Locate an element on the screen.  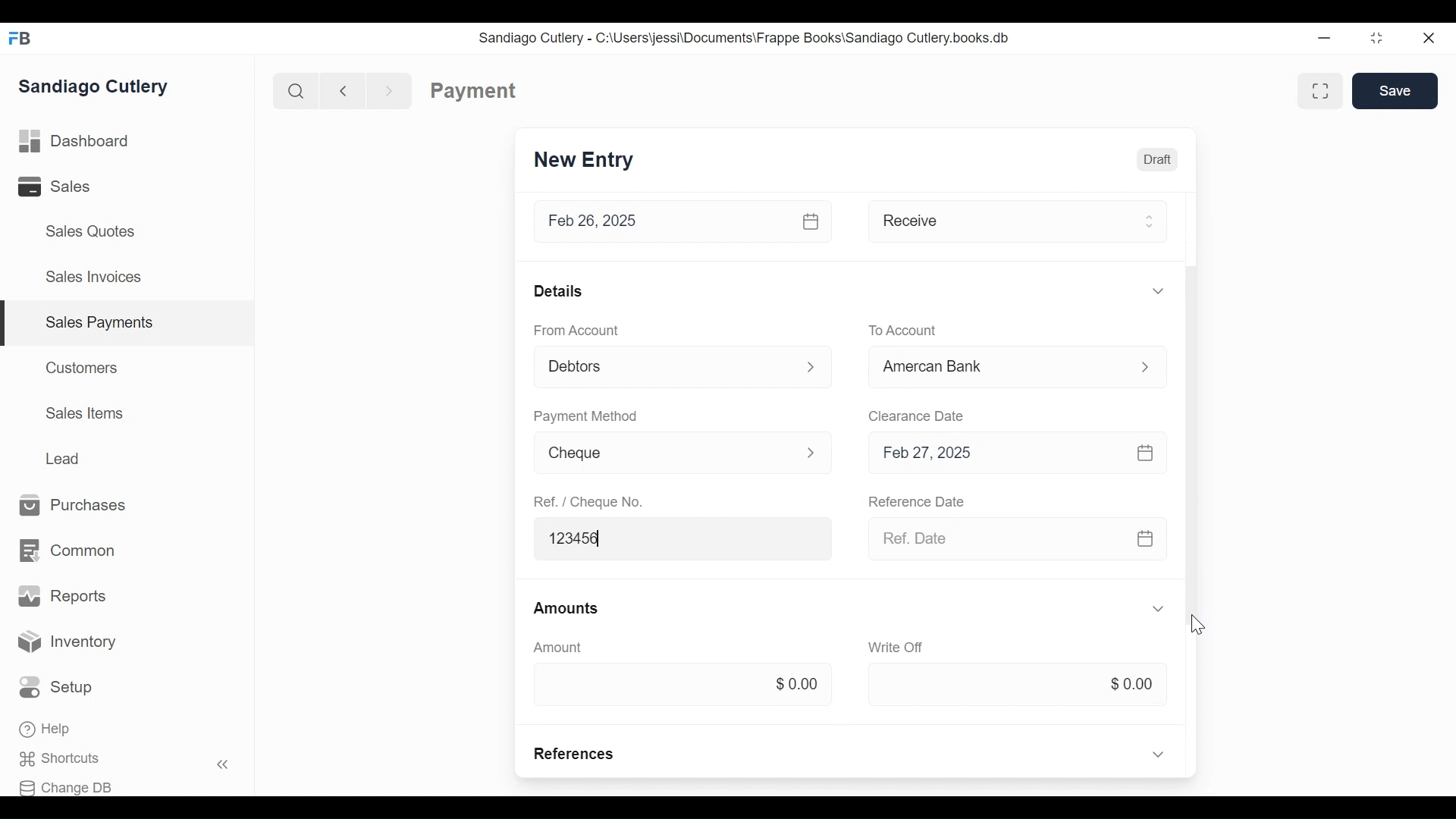
cursor is located at coordinates (1198, 623).